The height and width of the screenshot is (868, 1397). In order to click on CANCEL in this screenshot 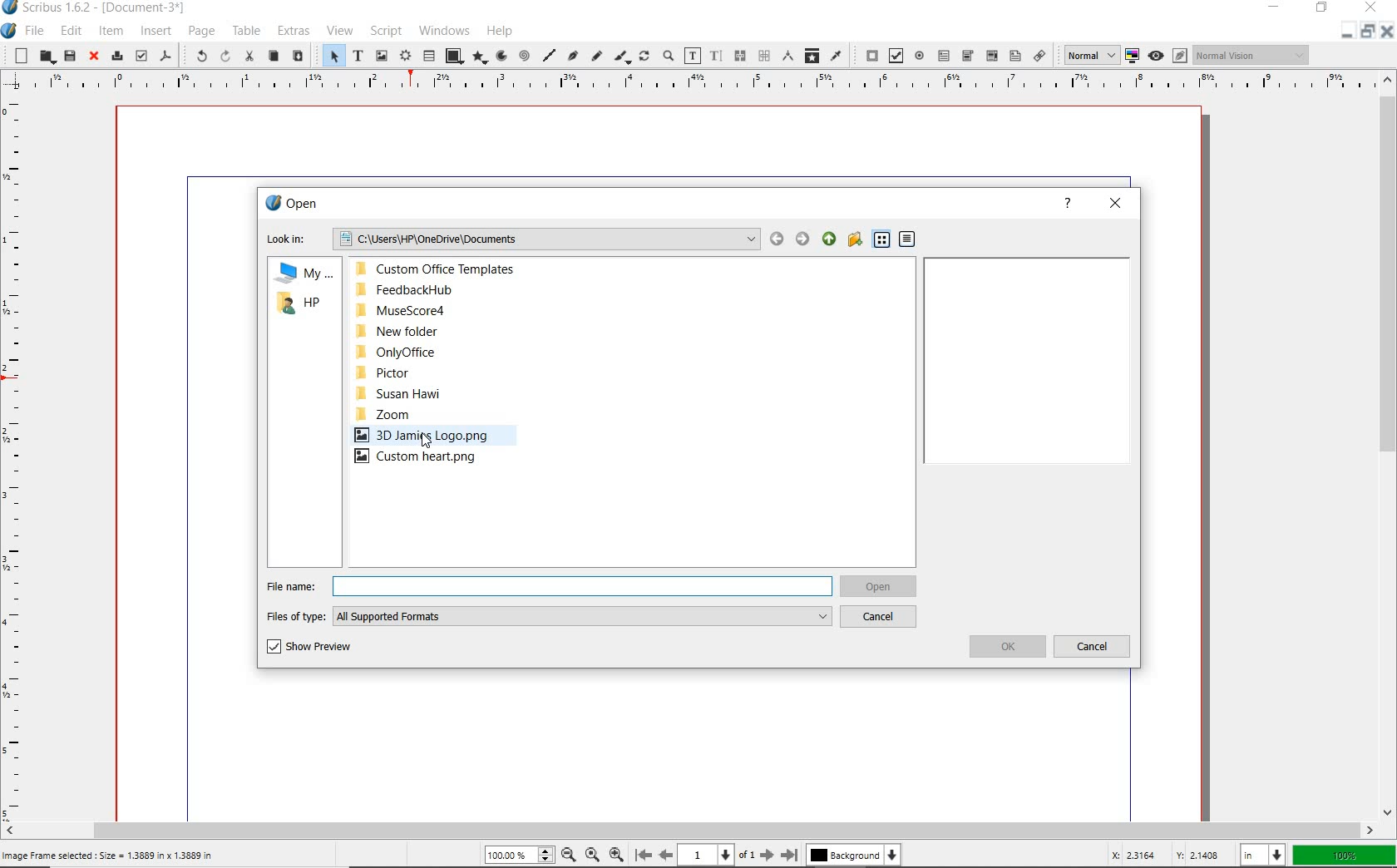, I will do `click(1093, 646)`.